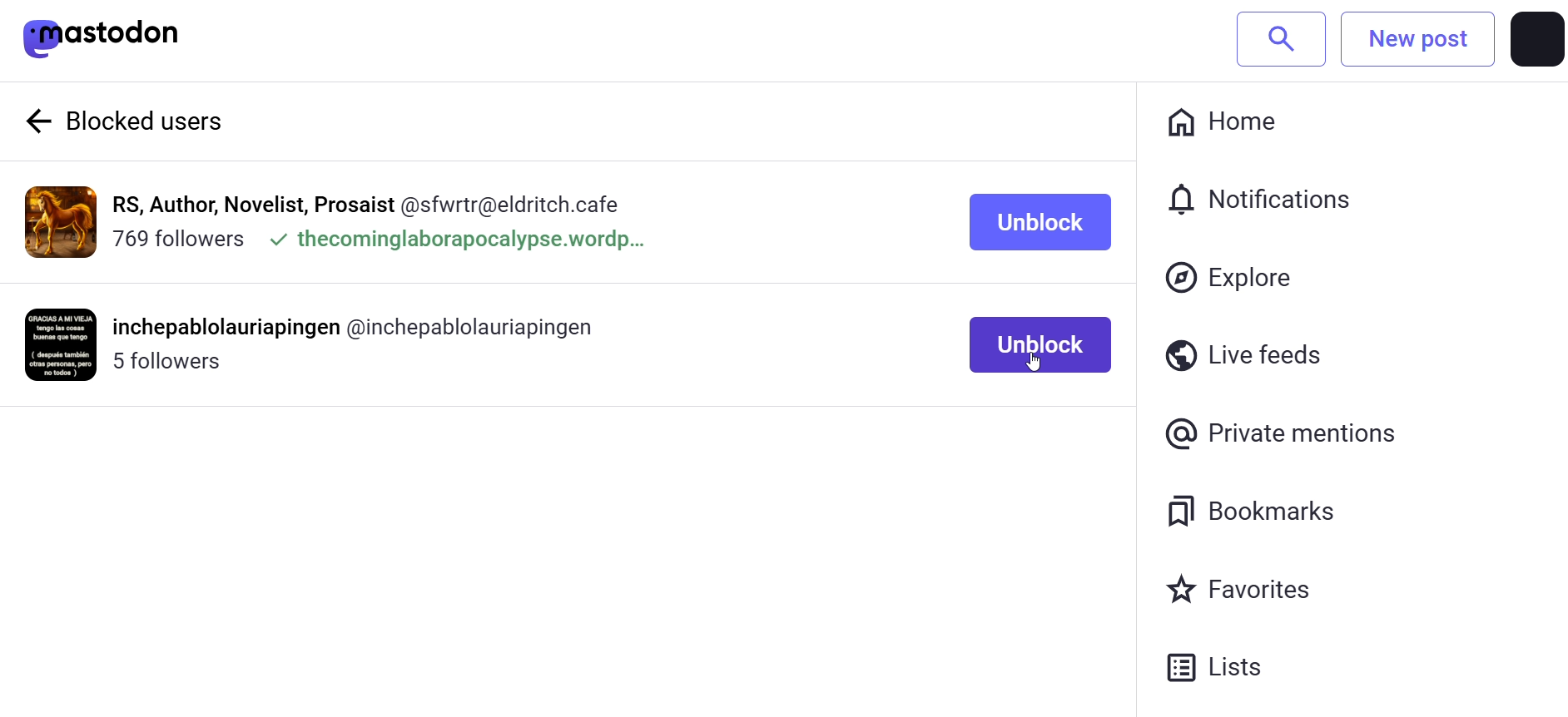  What do you see at coordinates (1536, 39) in the screenshot?
I see `profile picture` at bounding box center [1536, 39].